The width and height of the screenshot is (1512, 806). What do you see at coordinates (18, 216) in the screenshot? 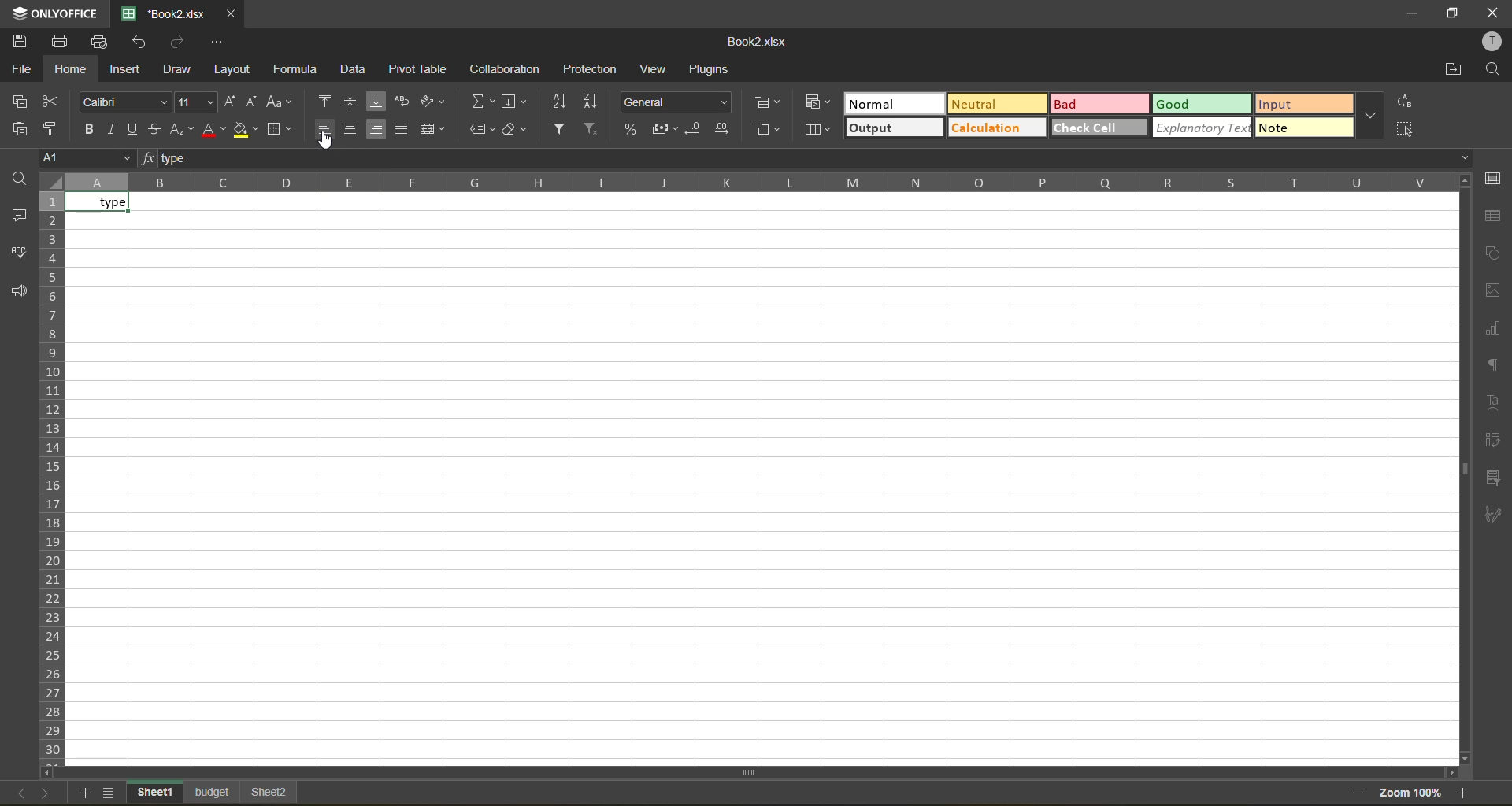
I see `comments` at bounding box center [18, 216].